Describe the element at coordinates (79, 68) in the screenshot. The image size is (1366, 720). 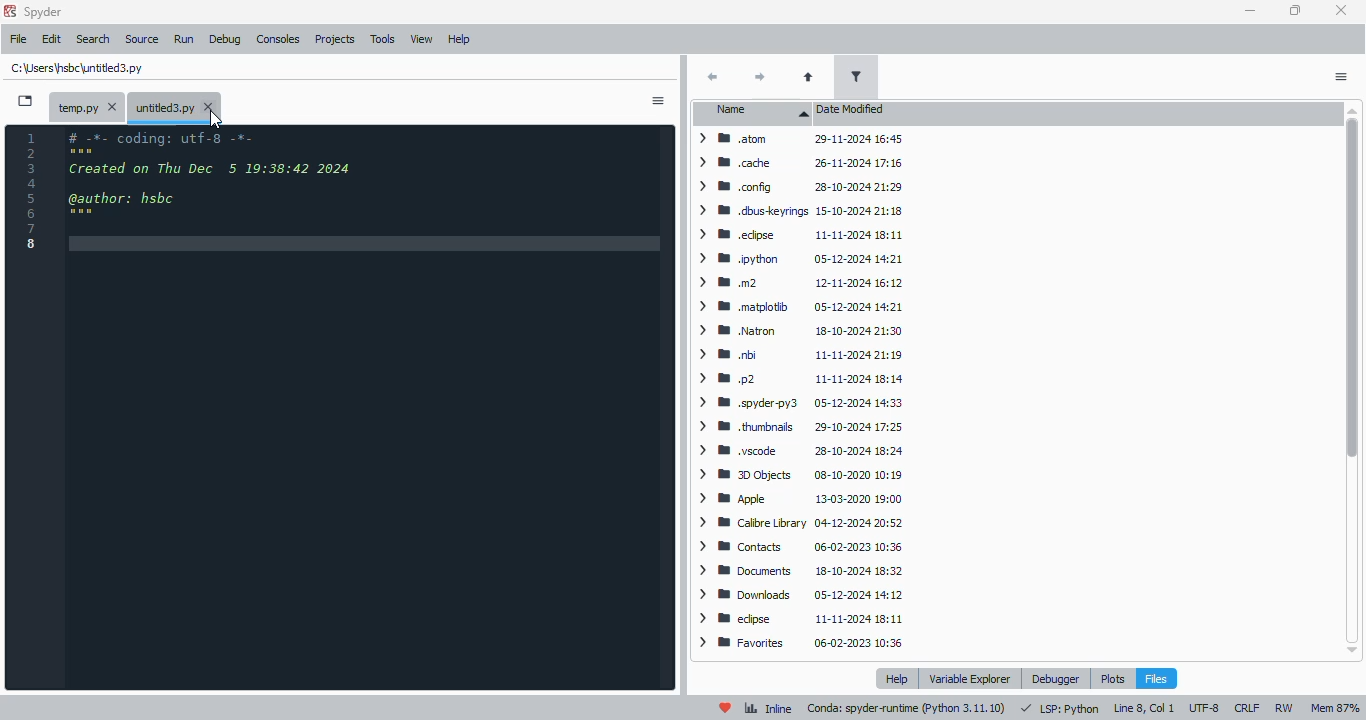
I see `untitled3.py` at that location.